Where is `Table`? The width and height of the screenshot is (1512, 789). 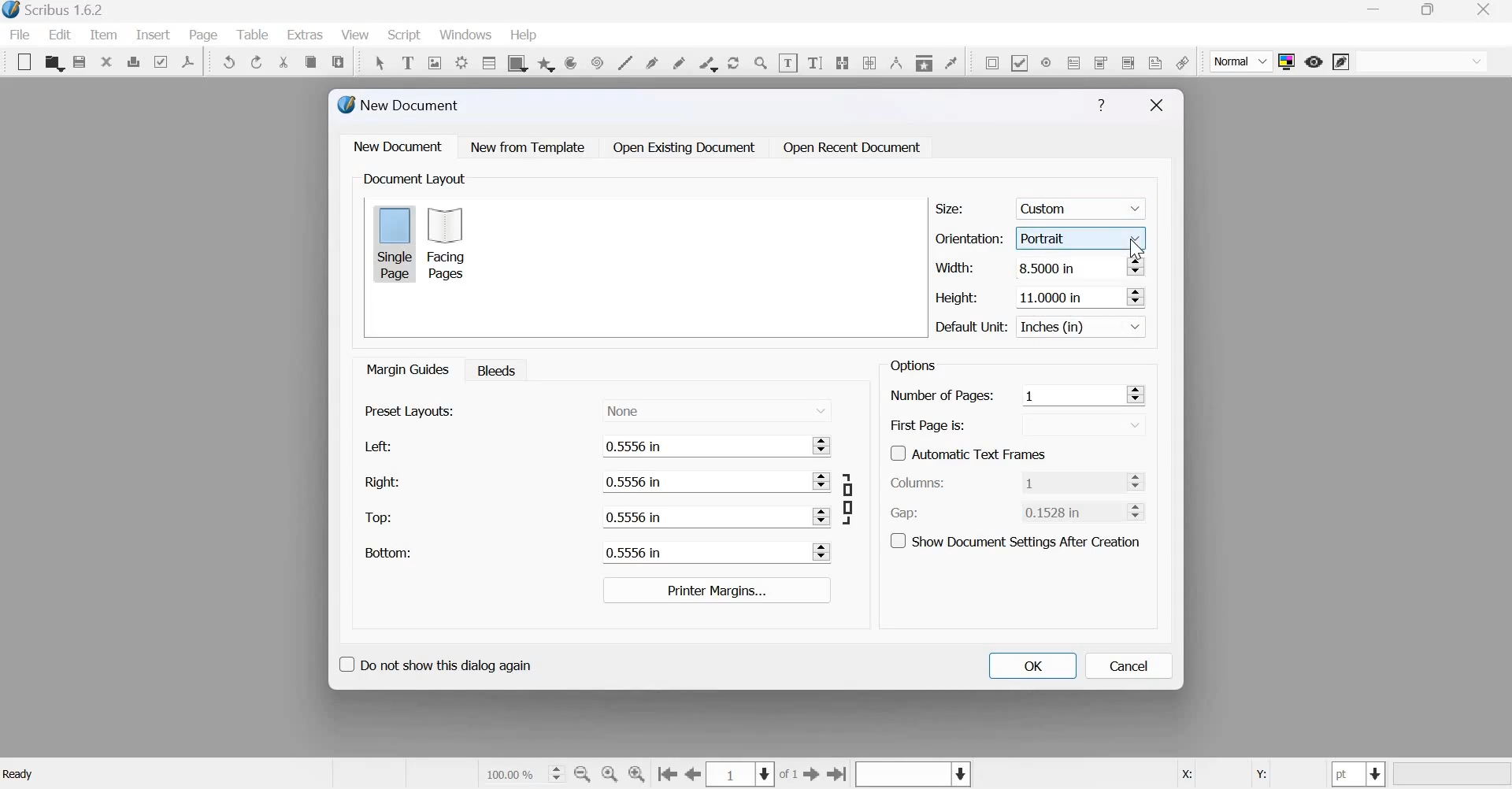
Table is located at coordinates (254, 35).